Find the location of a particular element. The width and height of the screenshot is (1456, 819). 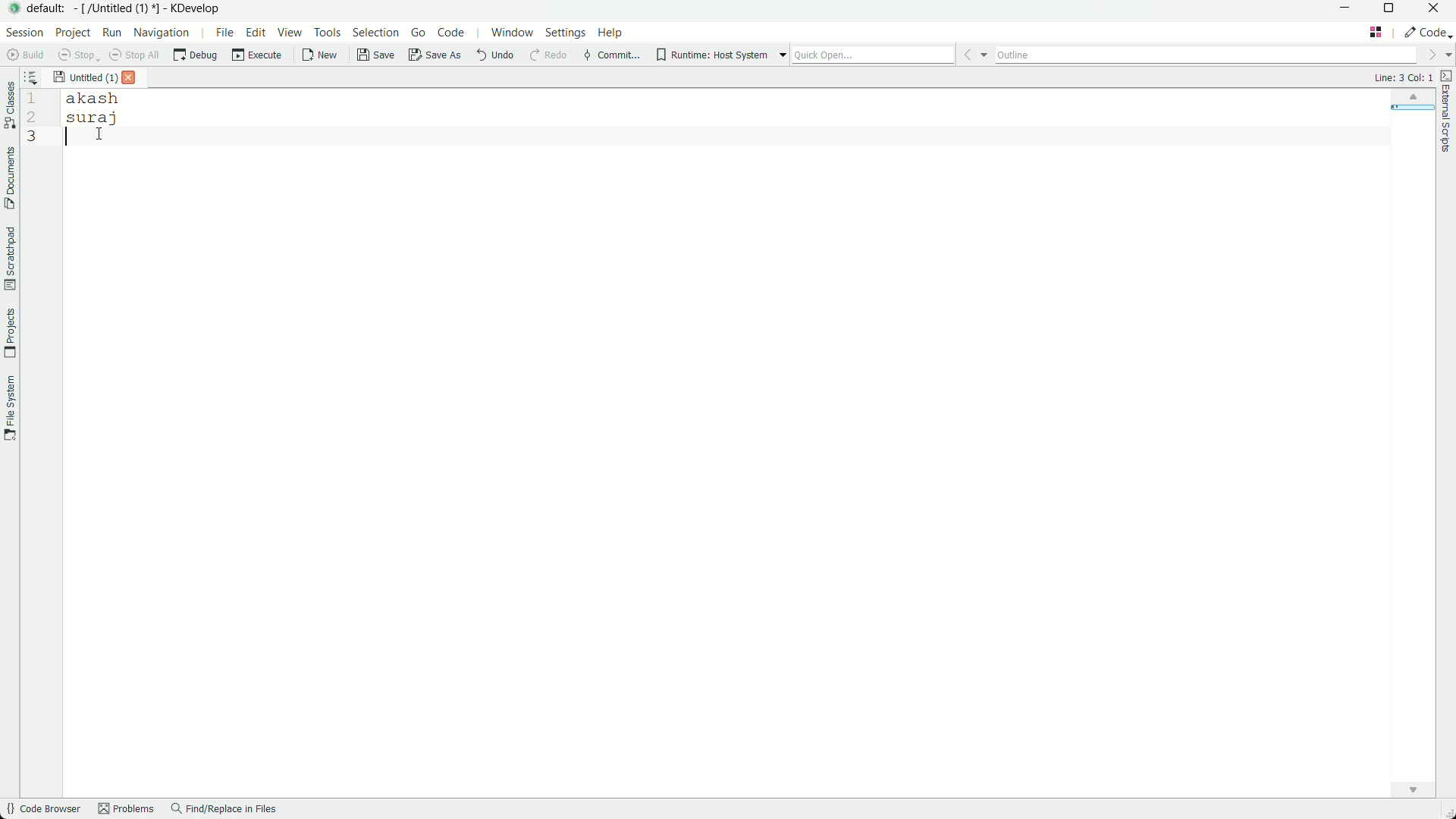

undo is located at coordinates (492, 56).